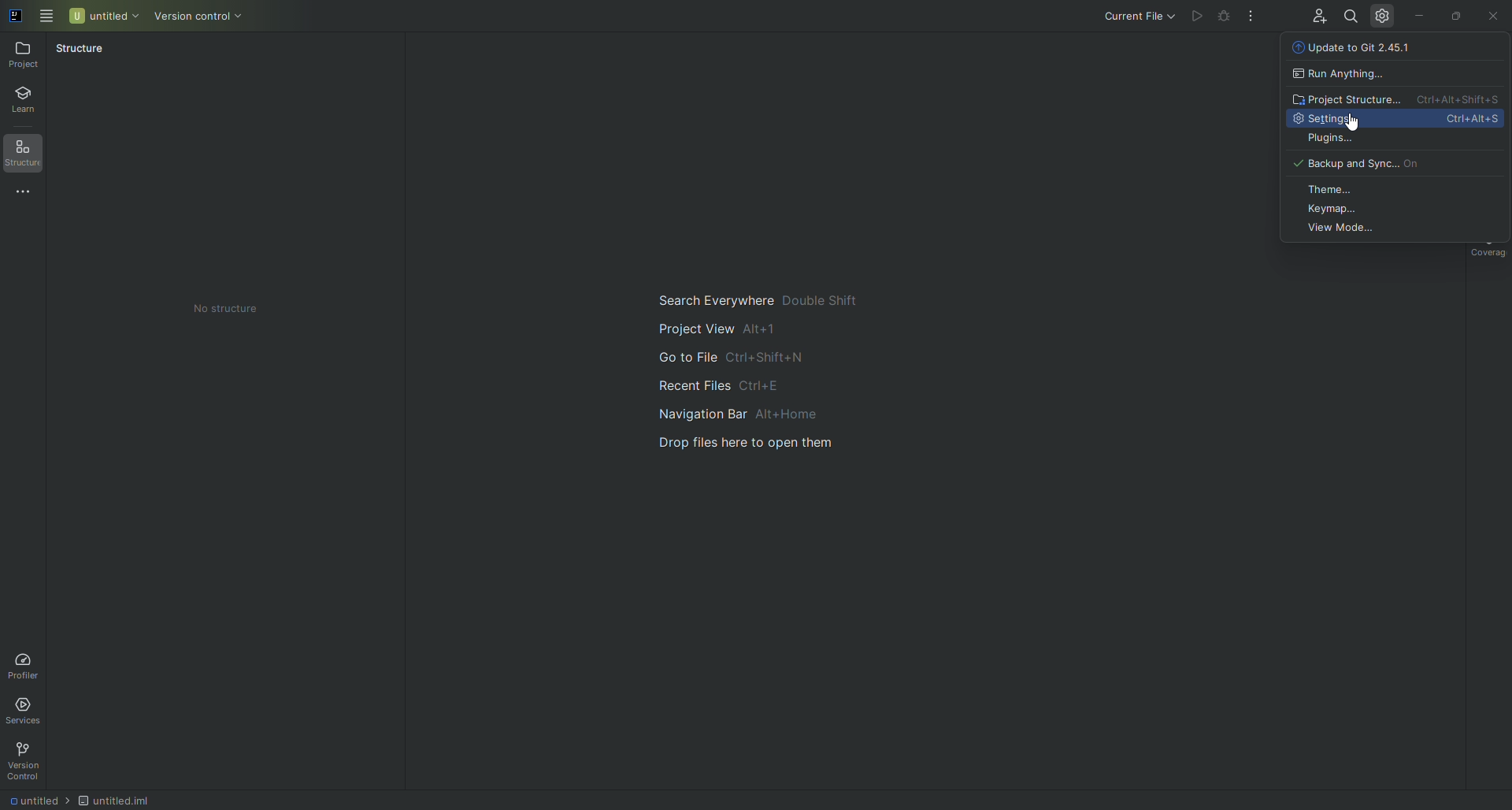  Describe the element at coordinates (102, 17) in the screenshot. I see `Untitled` at that location.